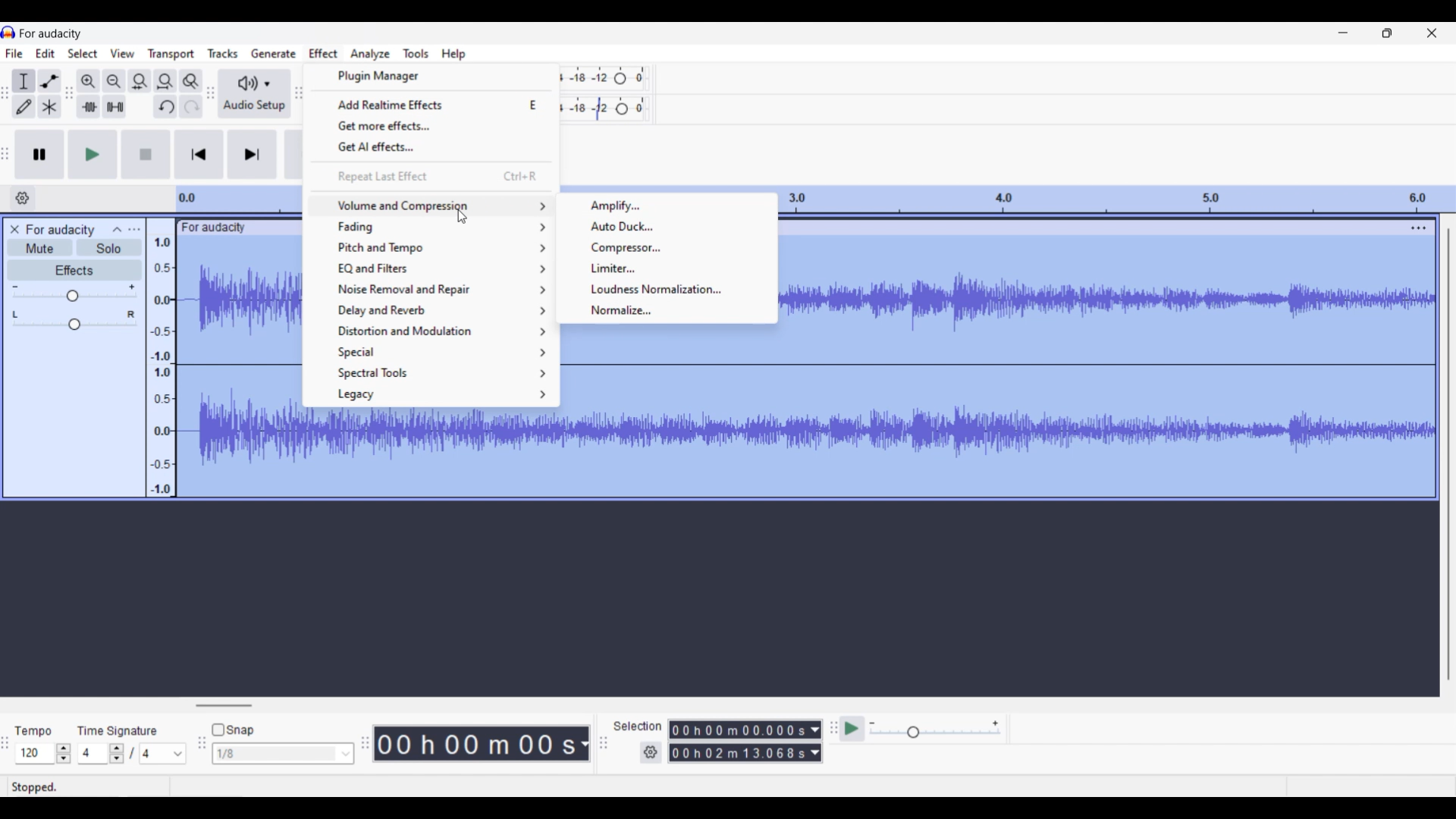 The image size is (1456, 819). Describe the element at coordinates (1119, 199) in the screenshot. I see `Scale to measure length of track` at that location.